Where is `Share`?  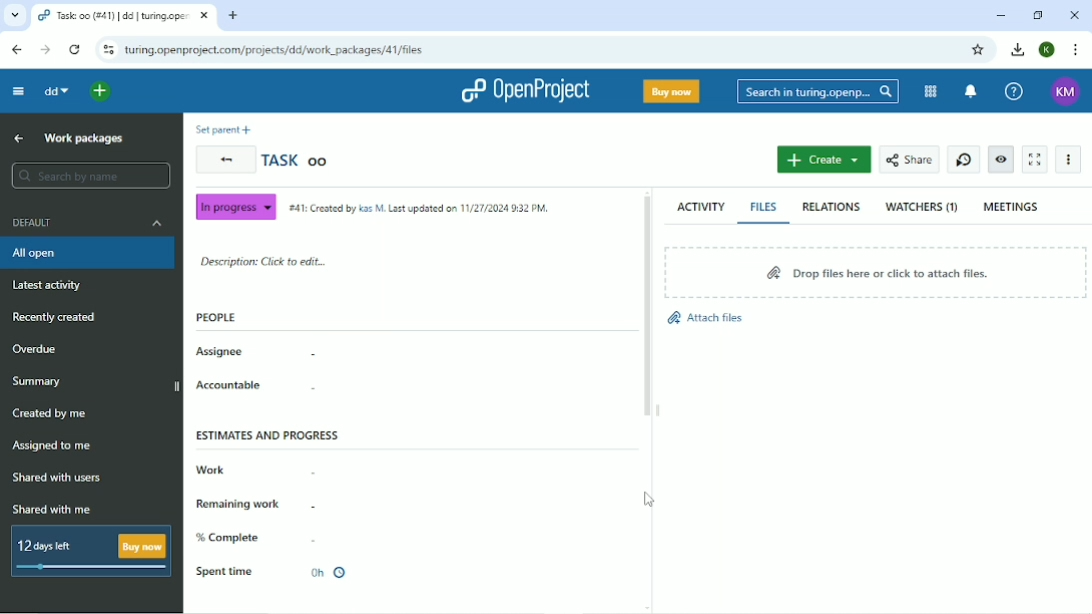 Share is located at coordinates (909, 160).